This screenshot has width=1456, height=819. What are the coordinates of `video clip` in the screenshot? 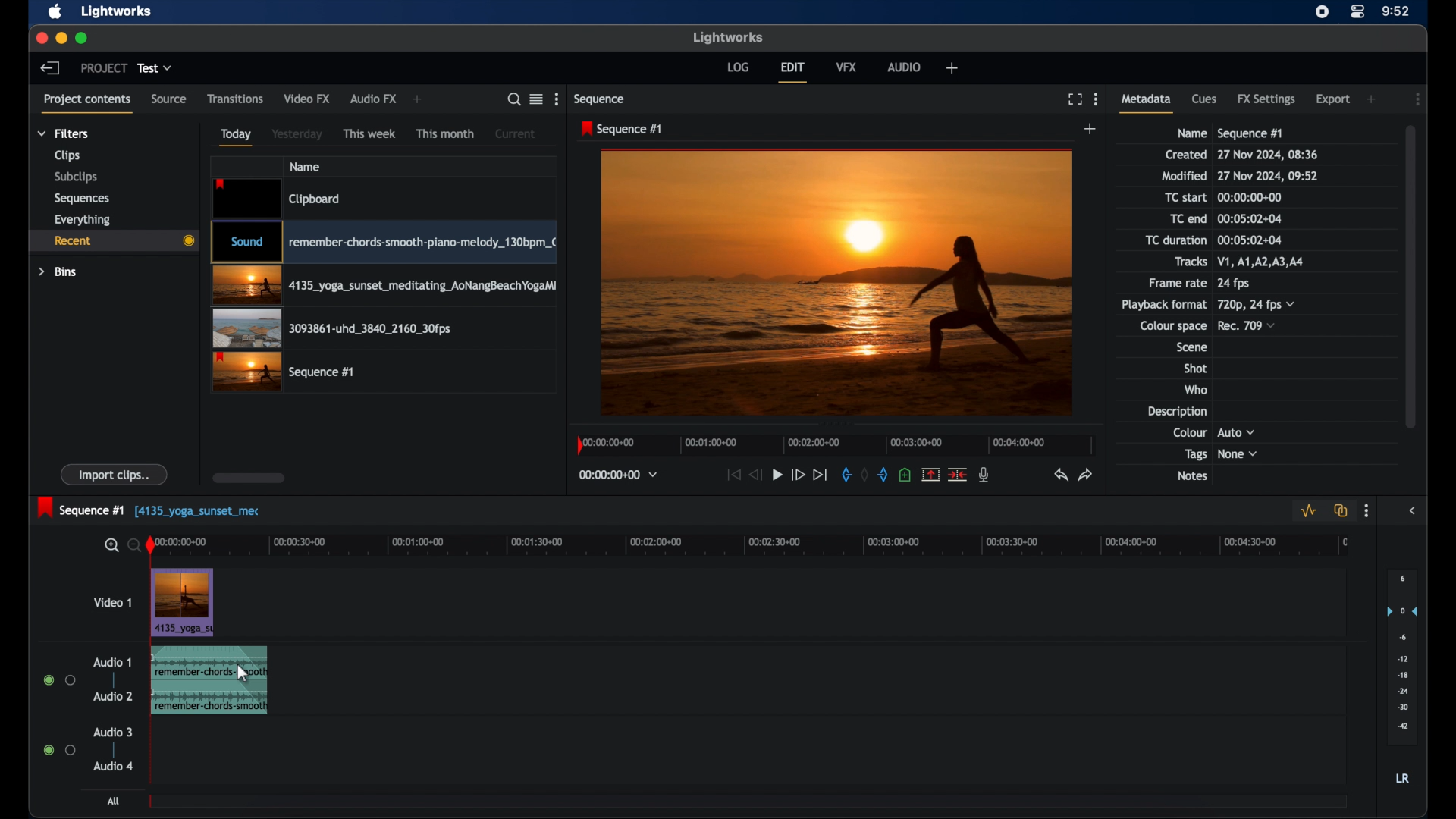 It's located at (333, 328).